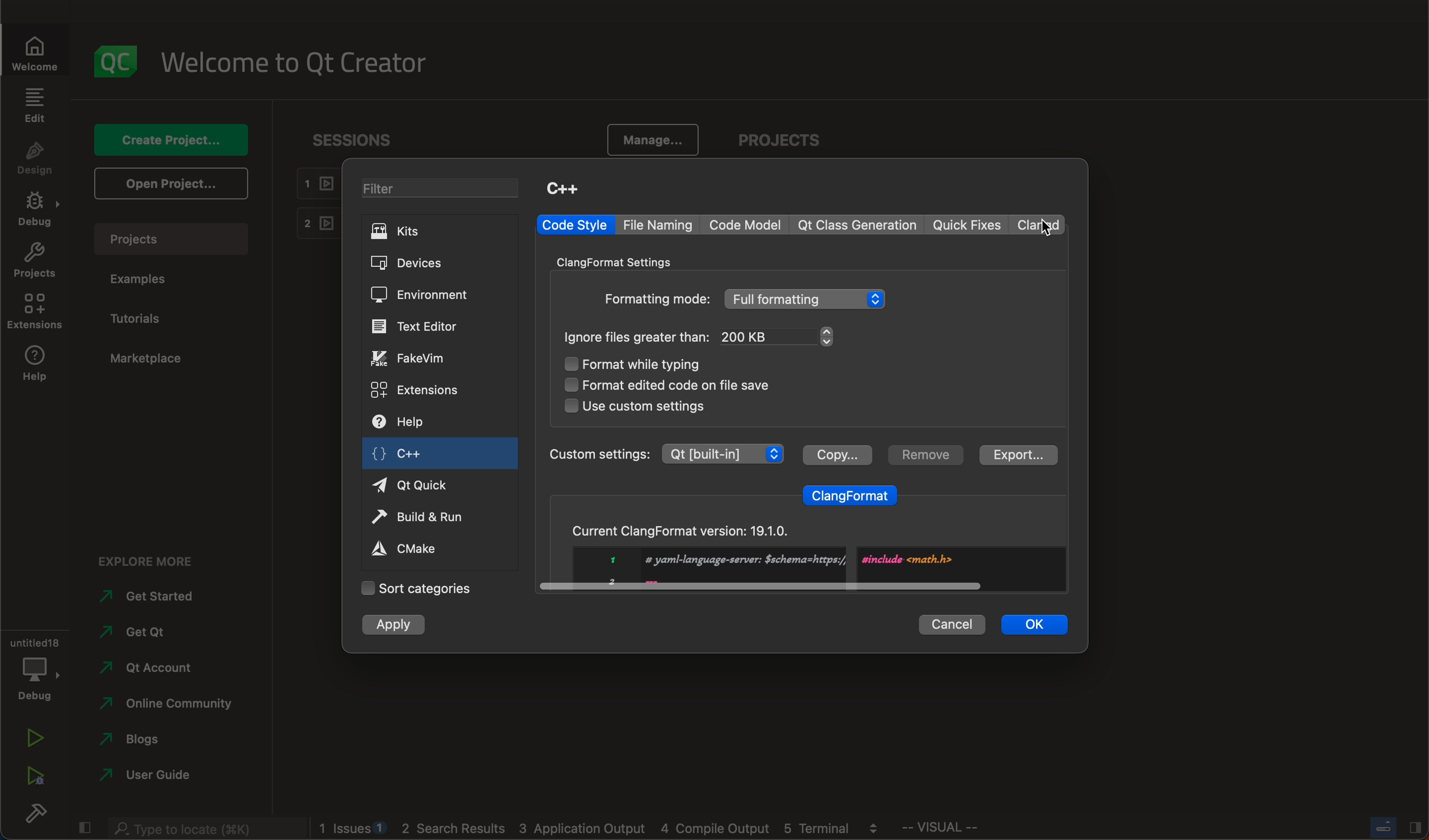 This screenshot has height=840, width=1429. Describe the element at coordinates (171, 705) in the screenshot. I see `community` at that location.